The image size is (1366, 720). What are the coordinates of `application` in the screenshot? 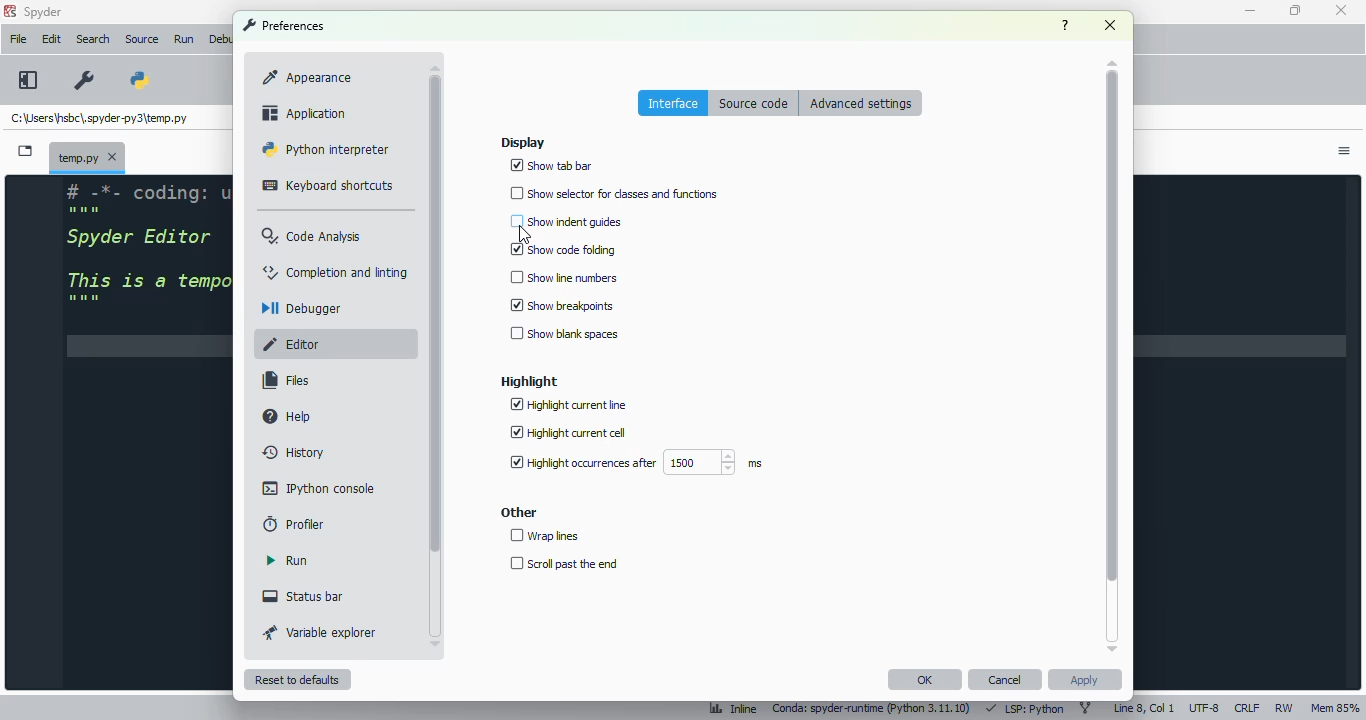 It's located at (306, 113).